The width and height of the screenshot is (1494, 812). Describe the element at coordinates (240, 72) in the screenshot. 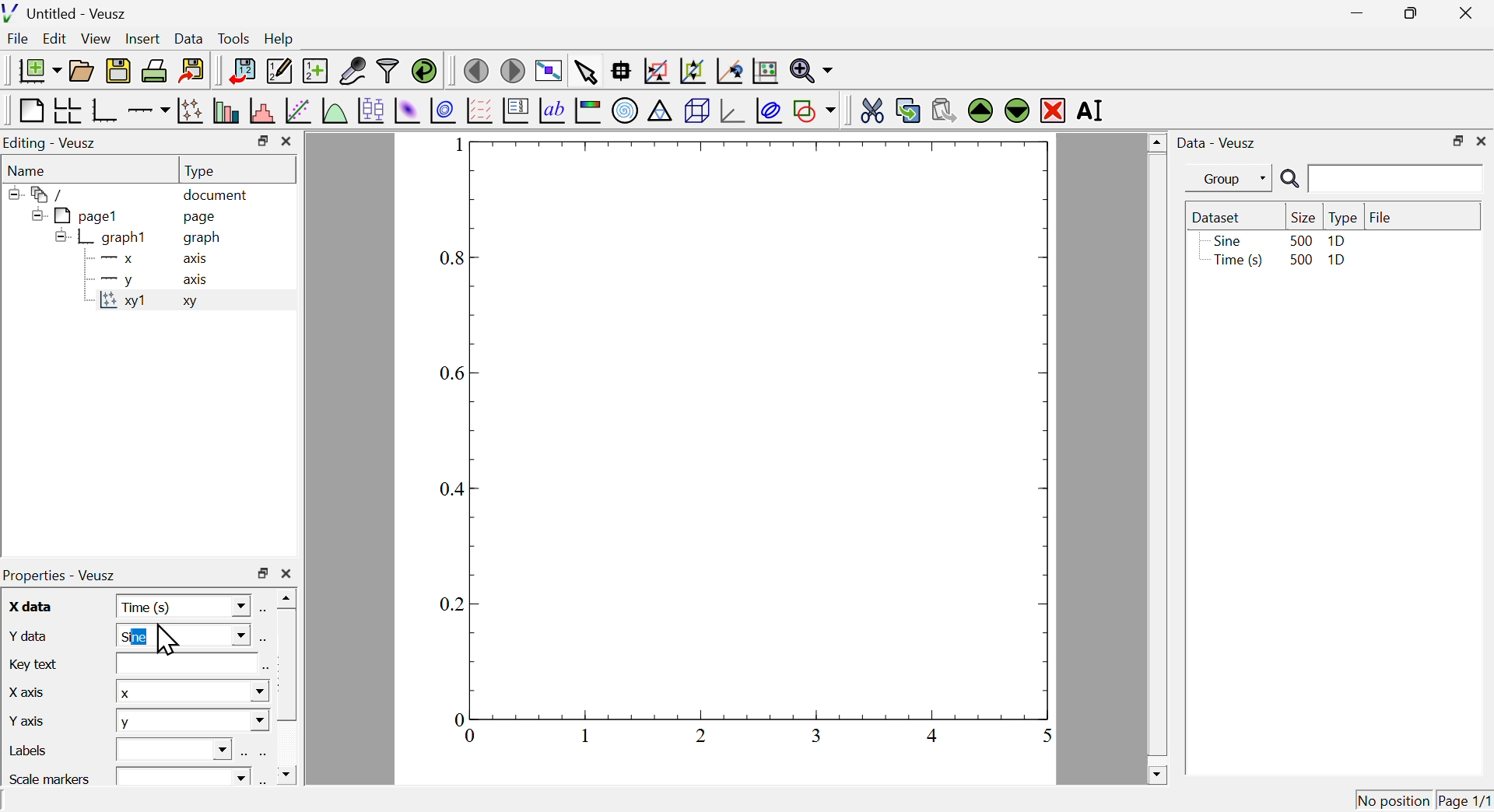

I see `import data into veusz` at that location.